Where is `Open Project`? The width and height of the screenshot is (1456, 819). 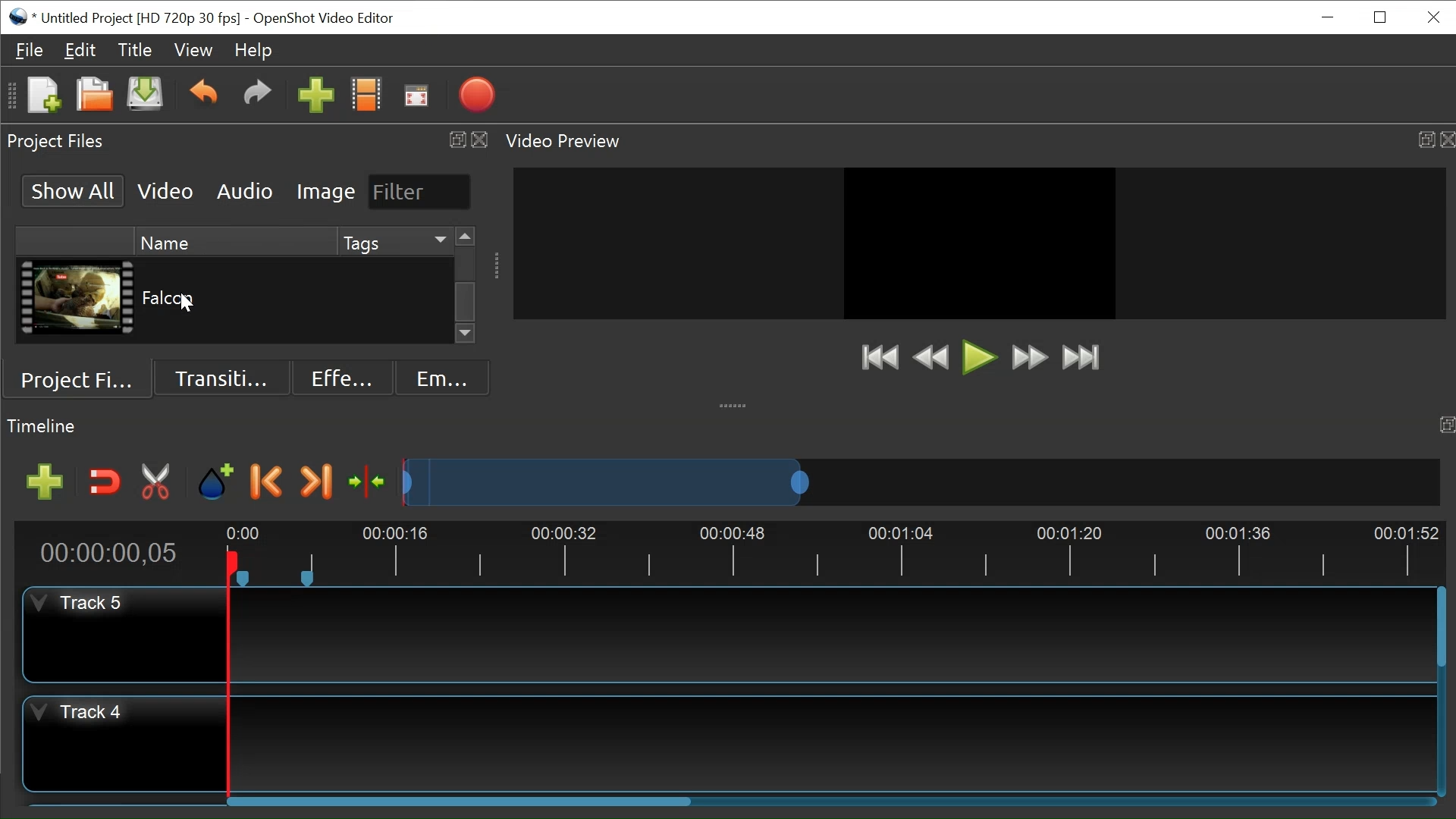
Open Project is located at coordinates (90, 94).